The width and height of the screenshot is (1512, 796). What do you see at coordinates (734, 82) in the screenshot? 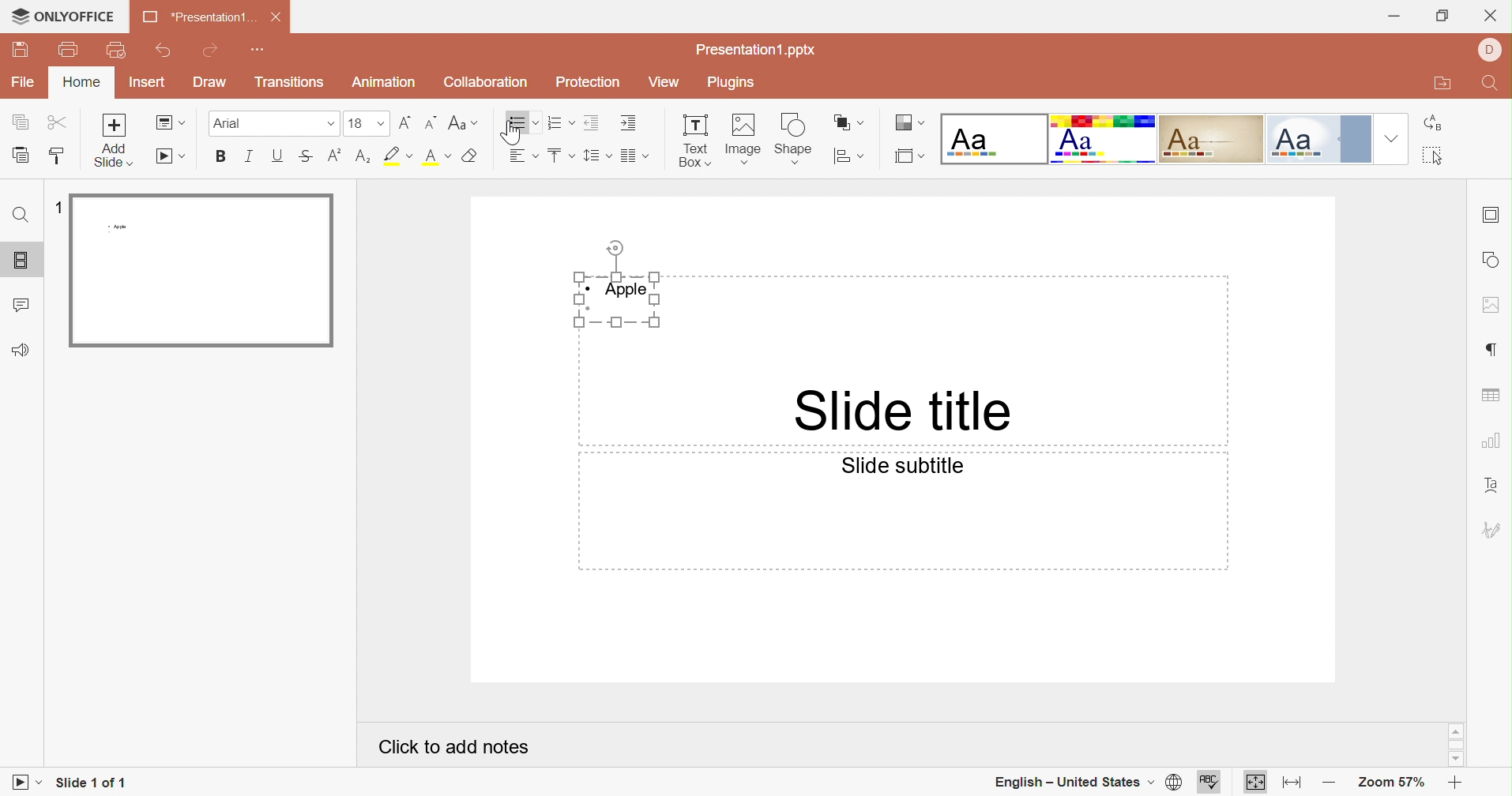
I see `Plugins` at bounding box center [734, 82].